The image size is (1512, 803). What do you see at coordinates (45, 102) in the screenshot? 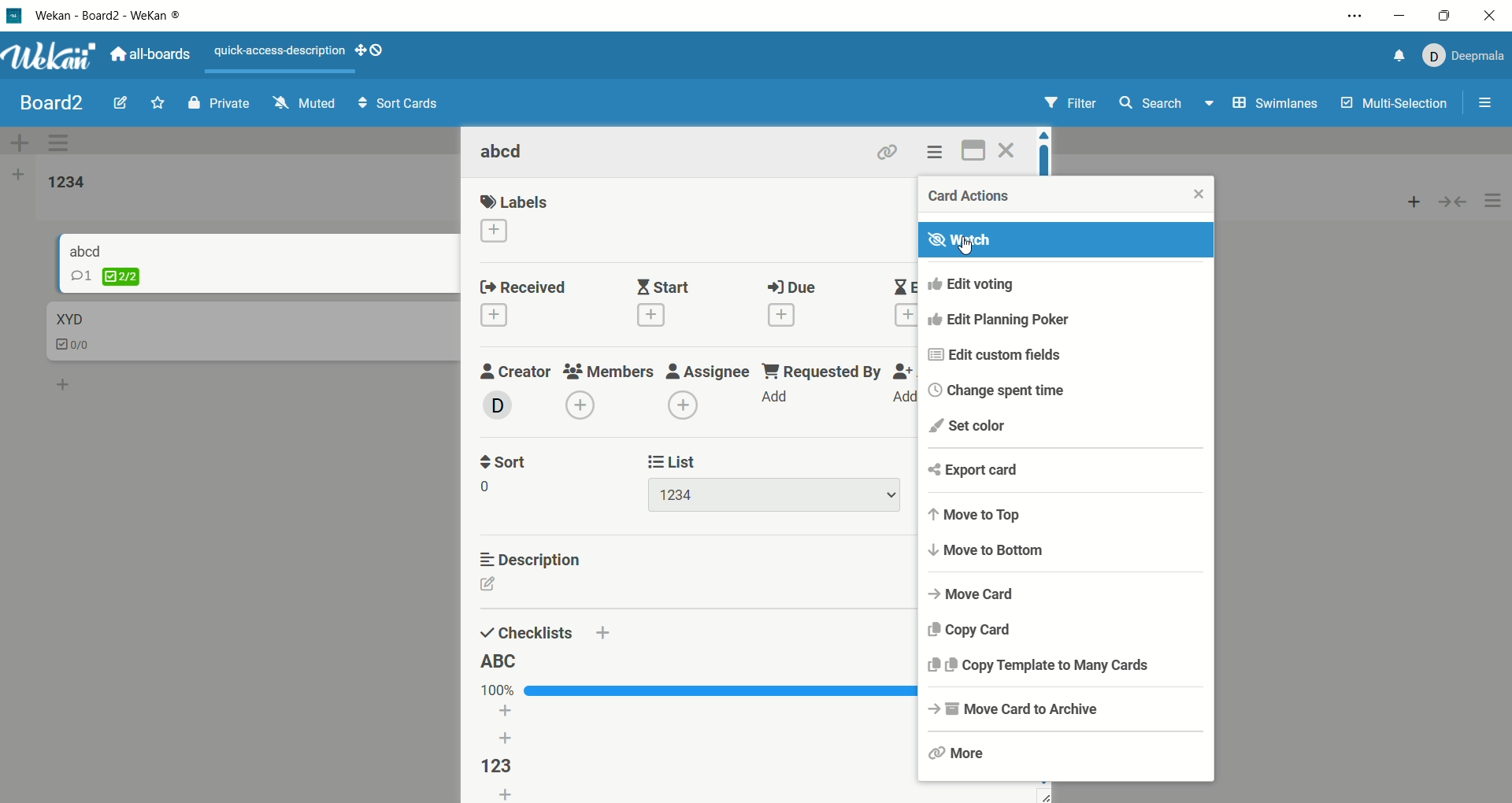
I see `board title` at bounding box center [45, 102].